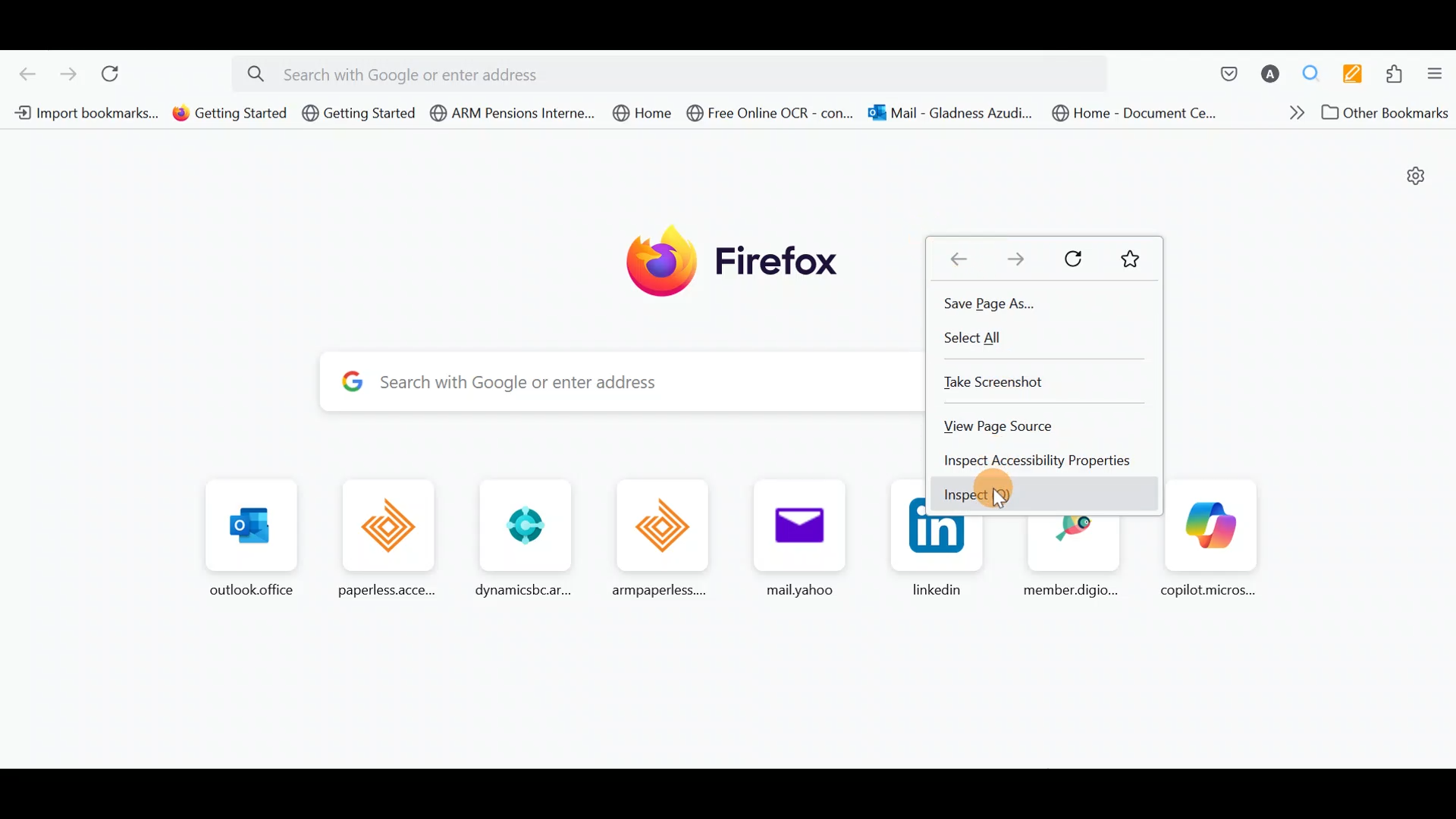 The image size is (1456, 819). Describe the element at coordinates (81, 111) in the screenshot. I see `Bookmark 1` at that location.